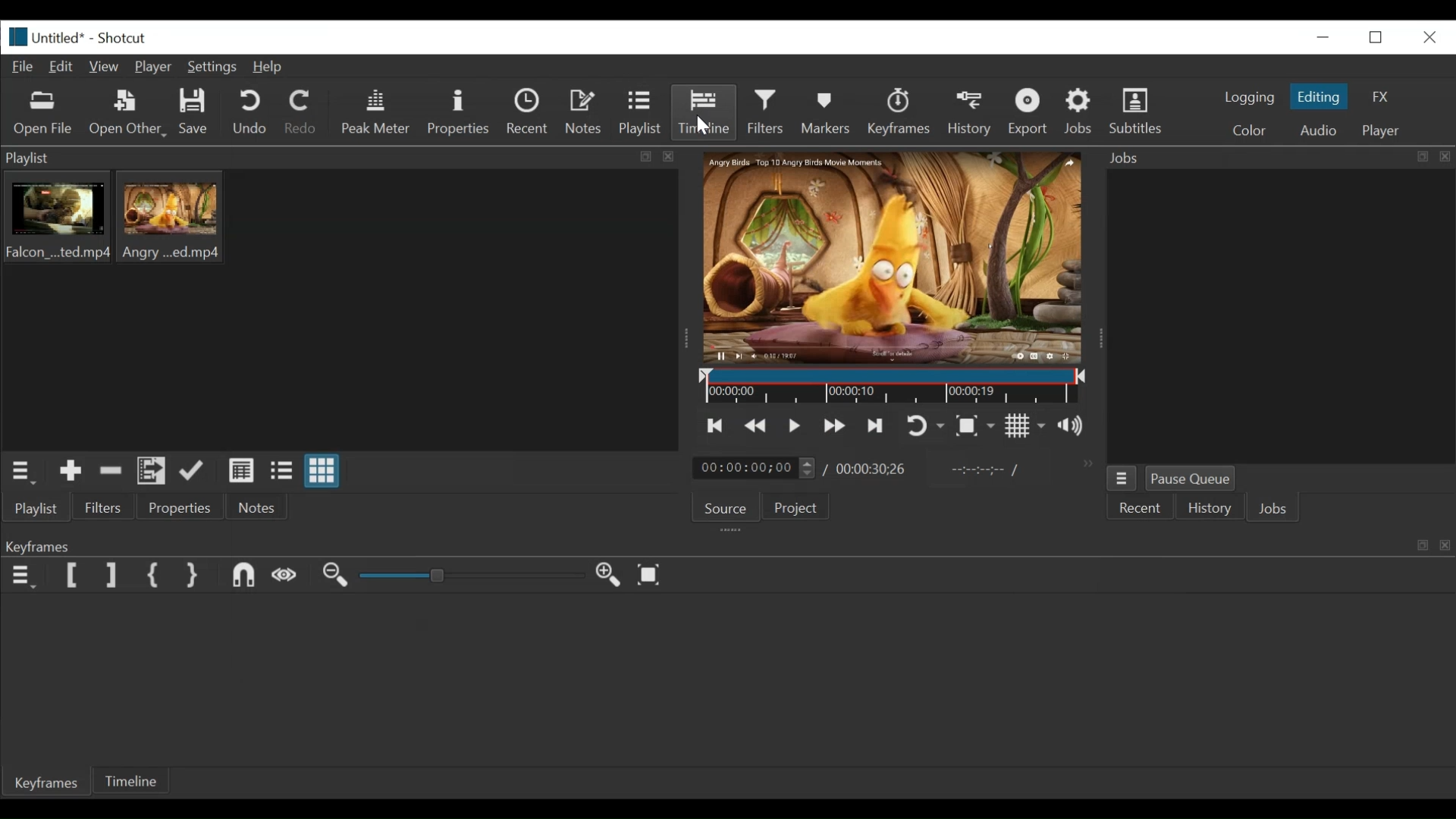  I want to click on Toggle zoom, so click(974, 427).